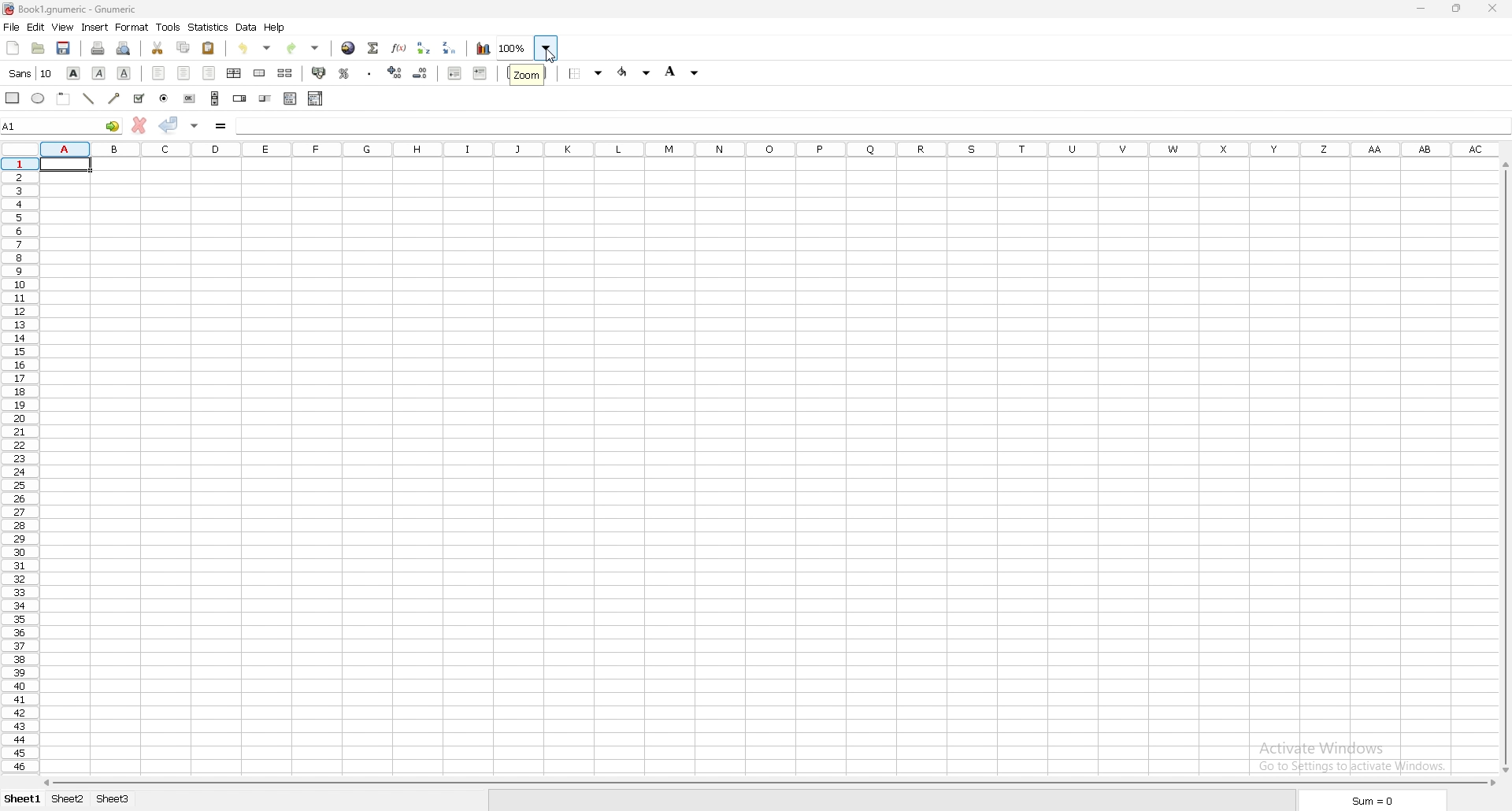 The height and width of the screenshot is (811, 1512). I want to click on selected cell, so click(68, 166).